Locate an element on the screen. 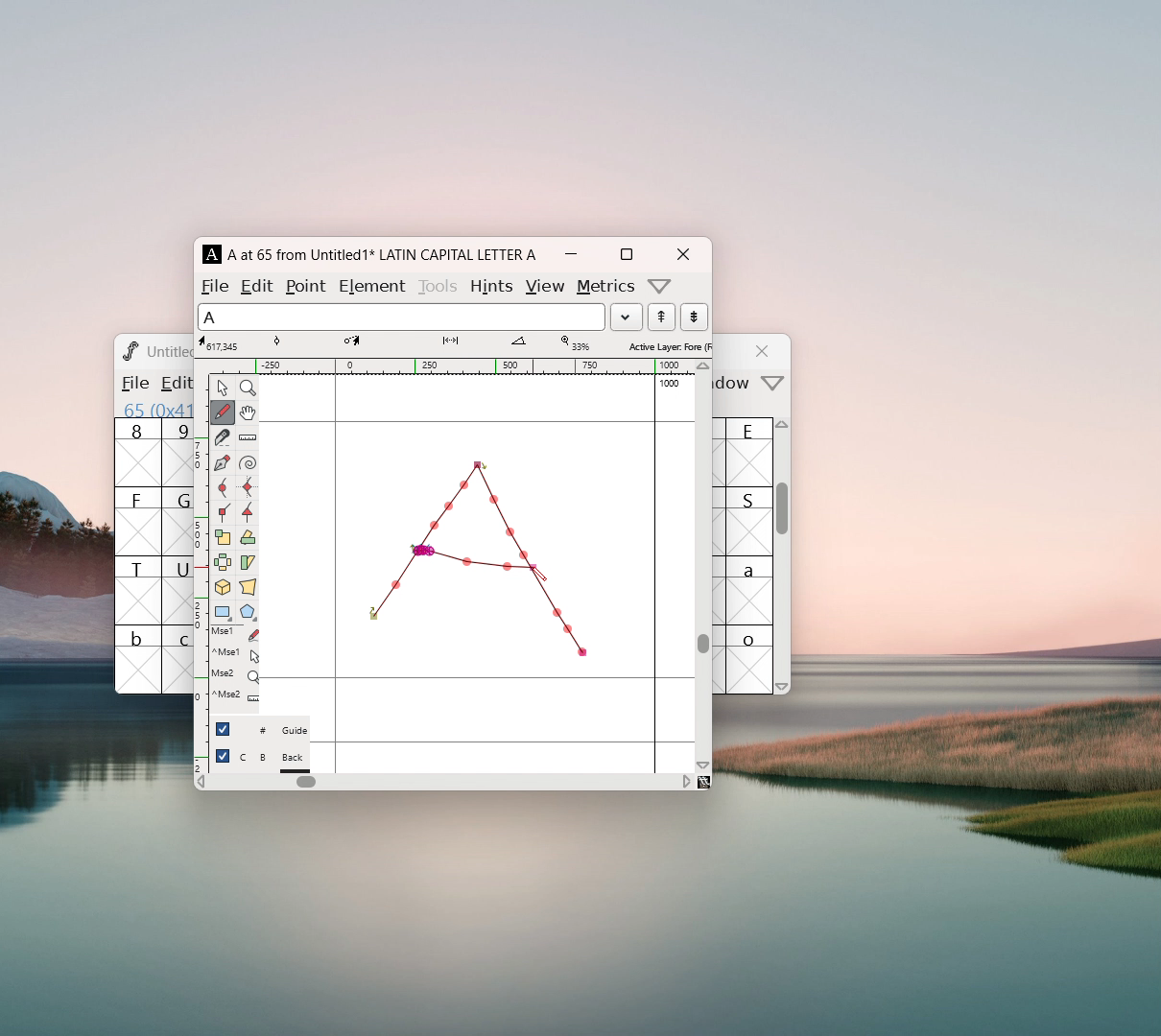 This screenshot has width=1161, height=1036. selected layer is located at coordinates (667, 345).